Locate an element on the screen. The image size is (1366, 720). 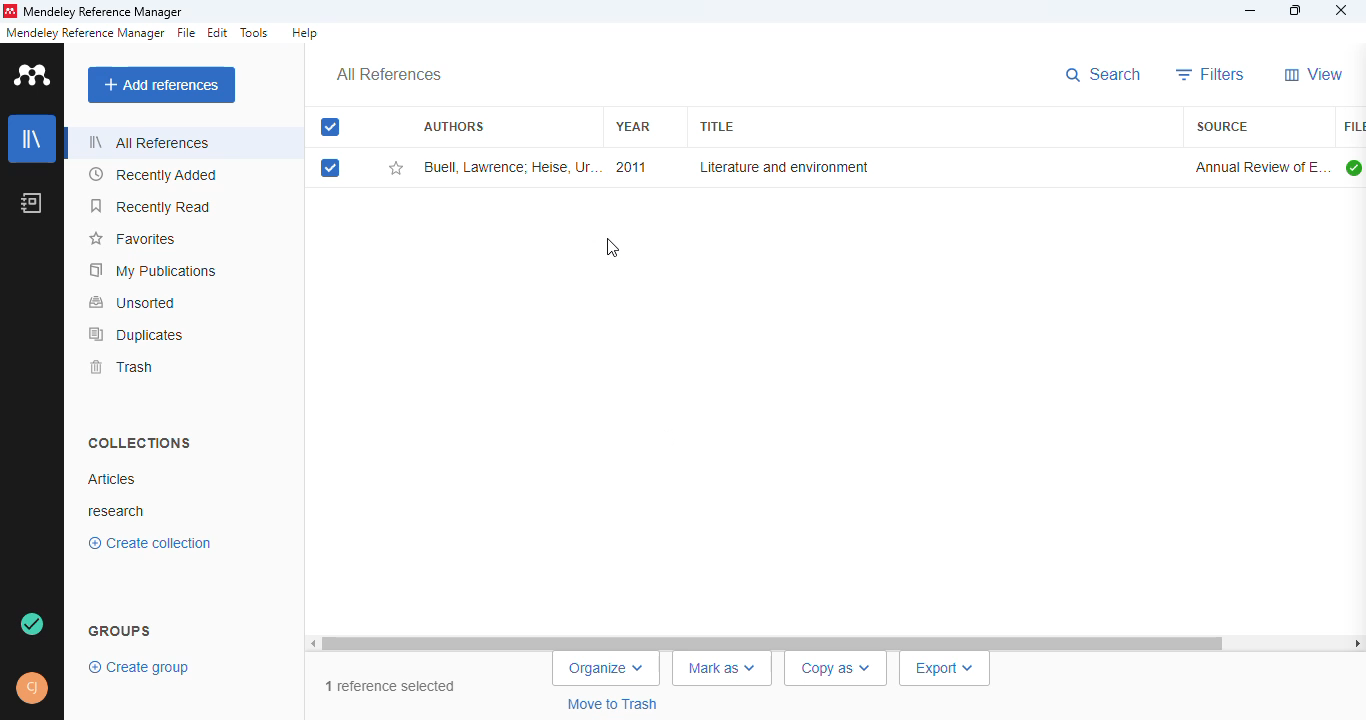
collections is located at coordinates (141, 443).